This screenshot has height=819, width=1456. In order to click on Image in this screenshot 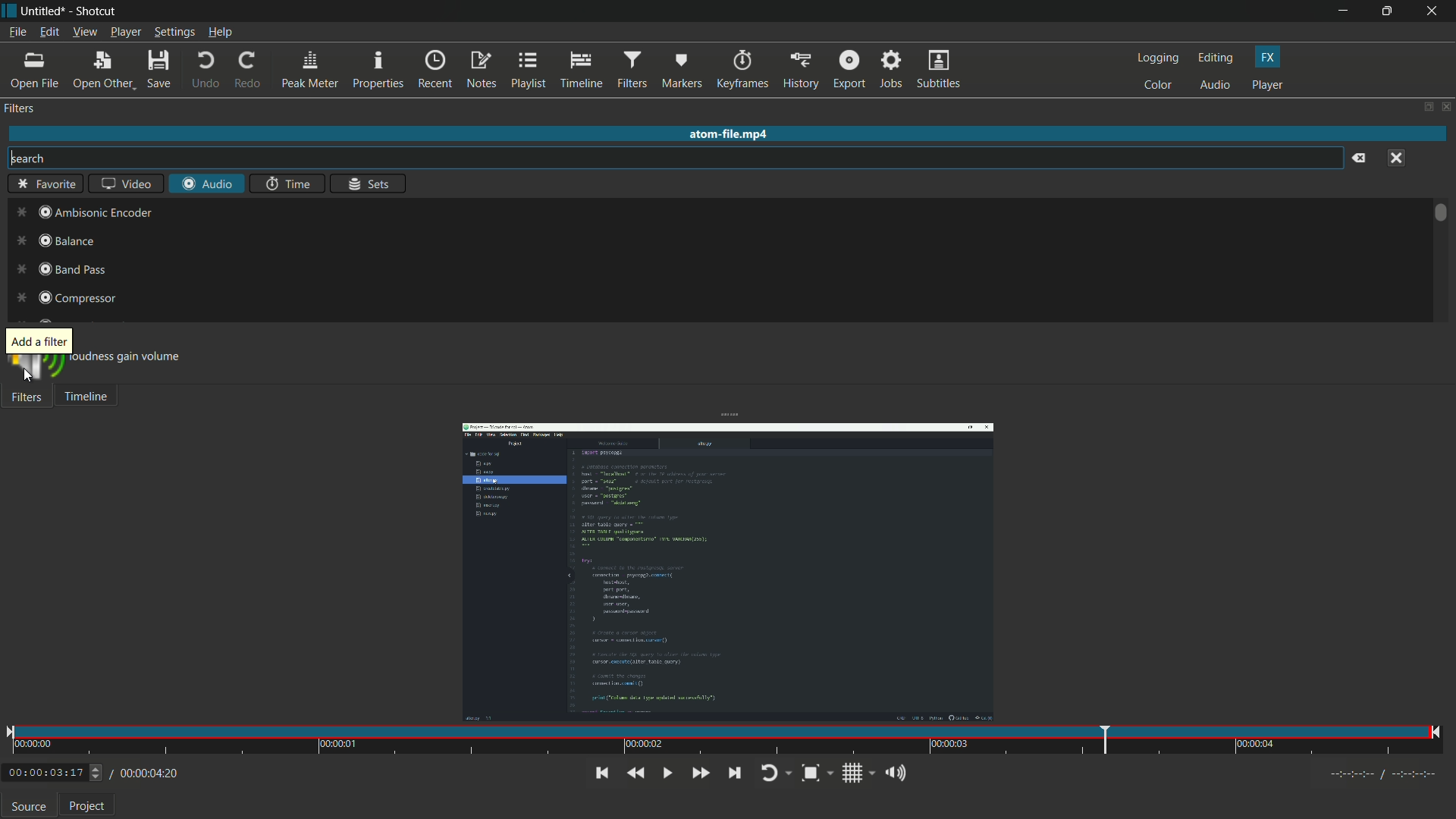, I will do `click(33, 372)`.